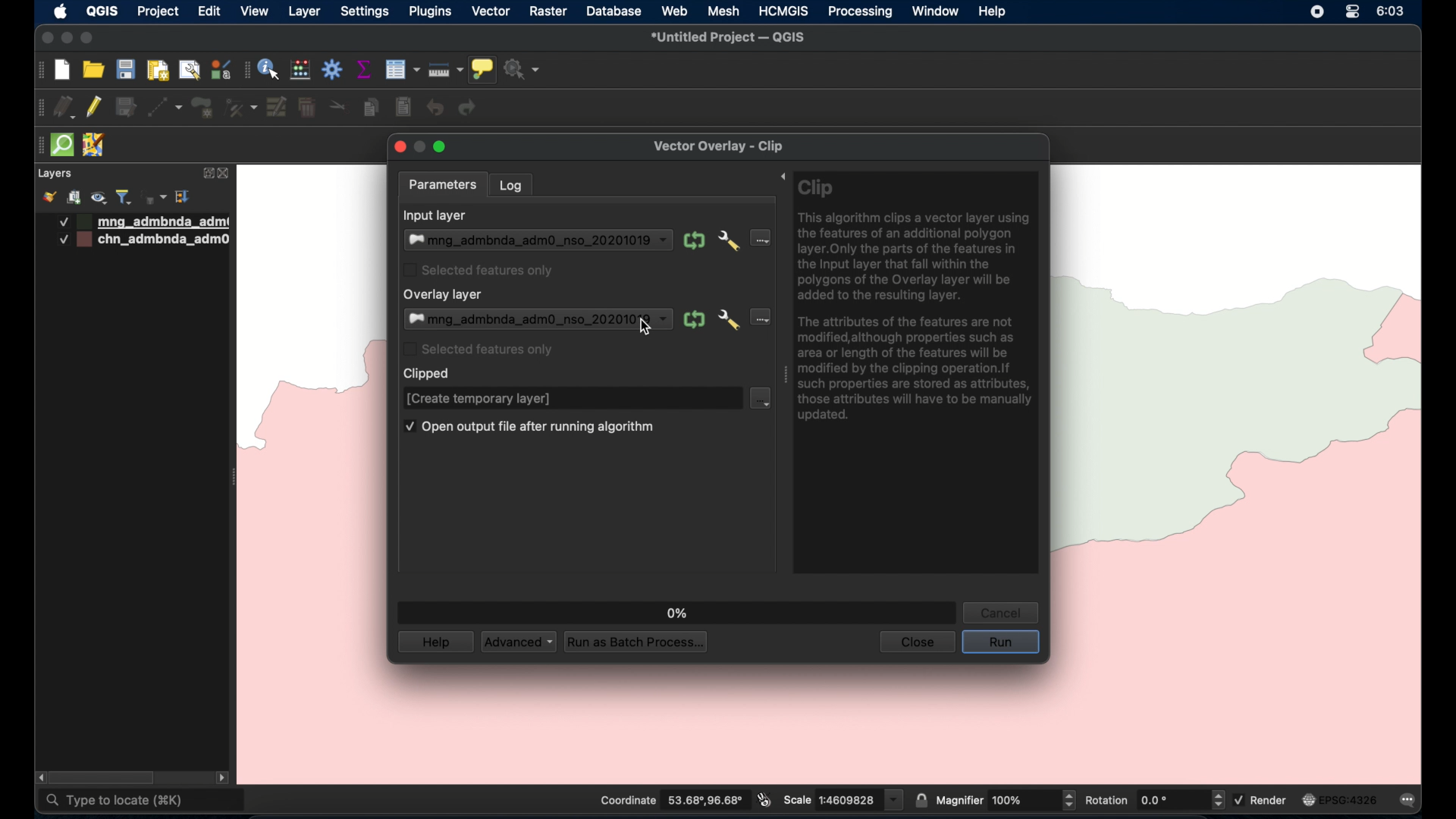  Describe the element at coordinates (780, 373) in the screenshot. I see `drag handle` at that location.